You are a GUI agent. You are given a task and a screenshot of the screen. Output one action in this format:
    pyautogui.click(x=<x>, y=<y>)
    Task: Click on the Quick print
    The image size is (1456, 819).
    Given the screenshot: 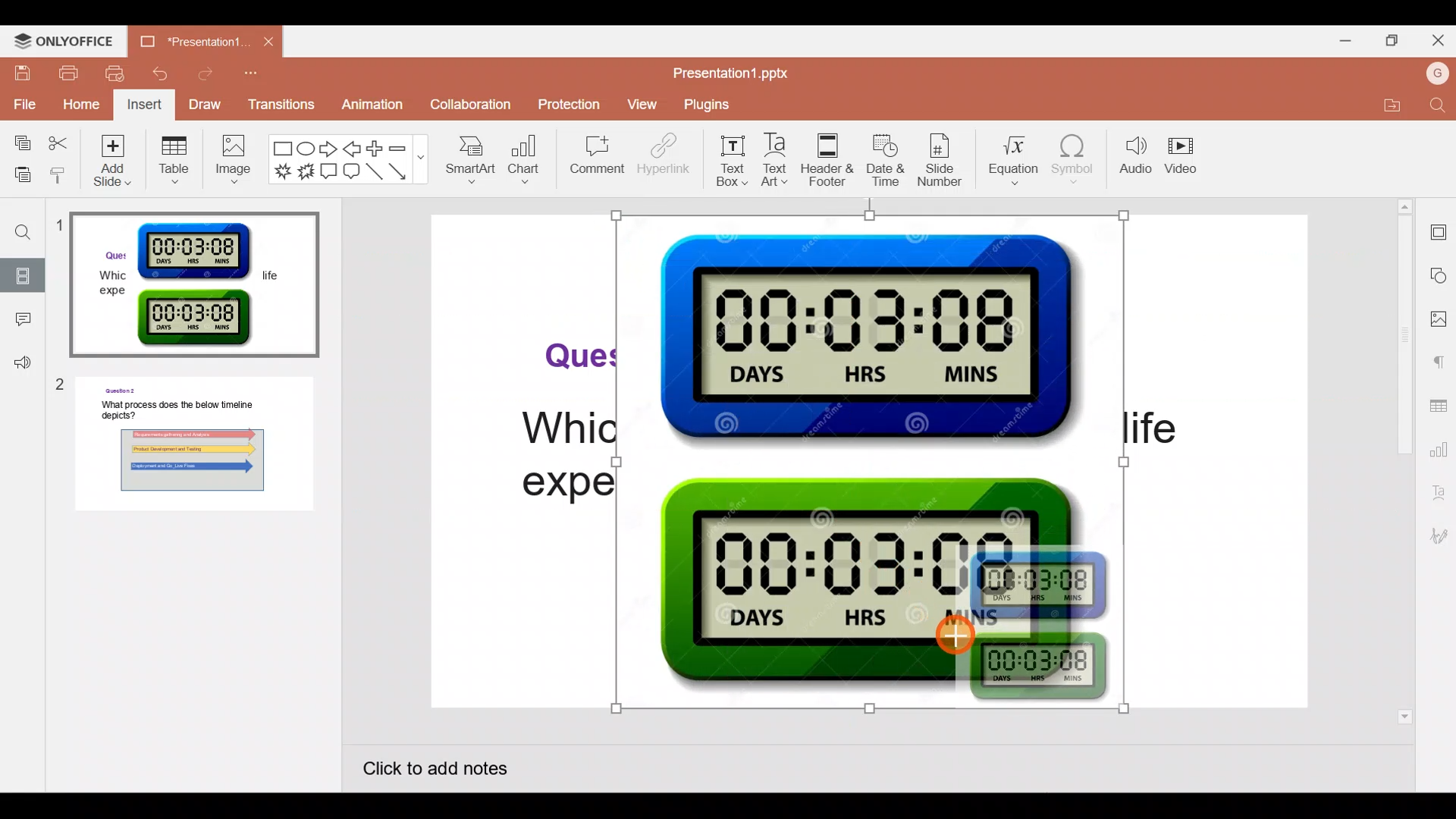 What is the action you would take?
    pyautogui.click(x=118, y=74)
    